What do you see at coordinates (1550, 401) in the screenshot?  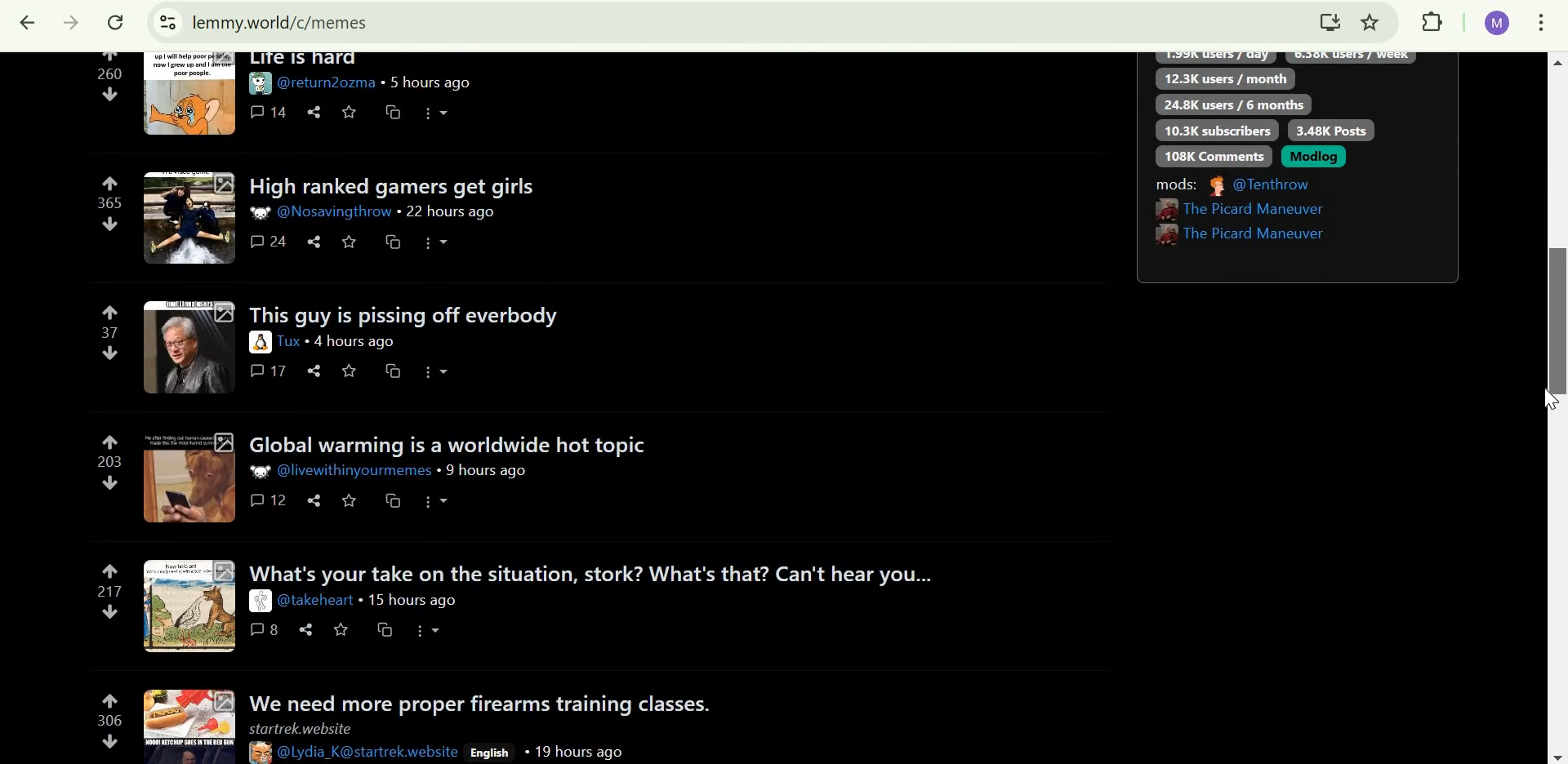 I see `cursor` at bounding box center [1550, 401].